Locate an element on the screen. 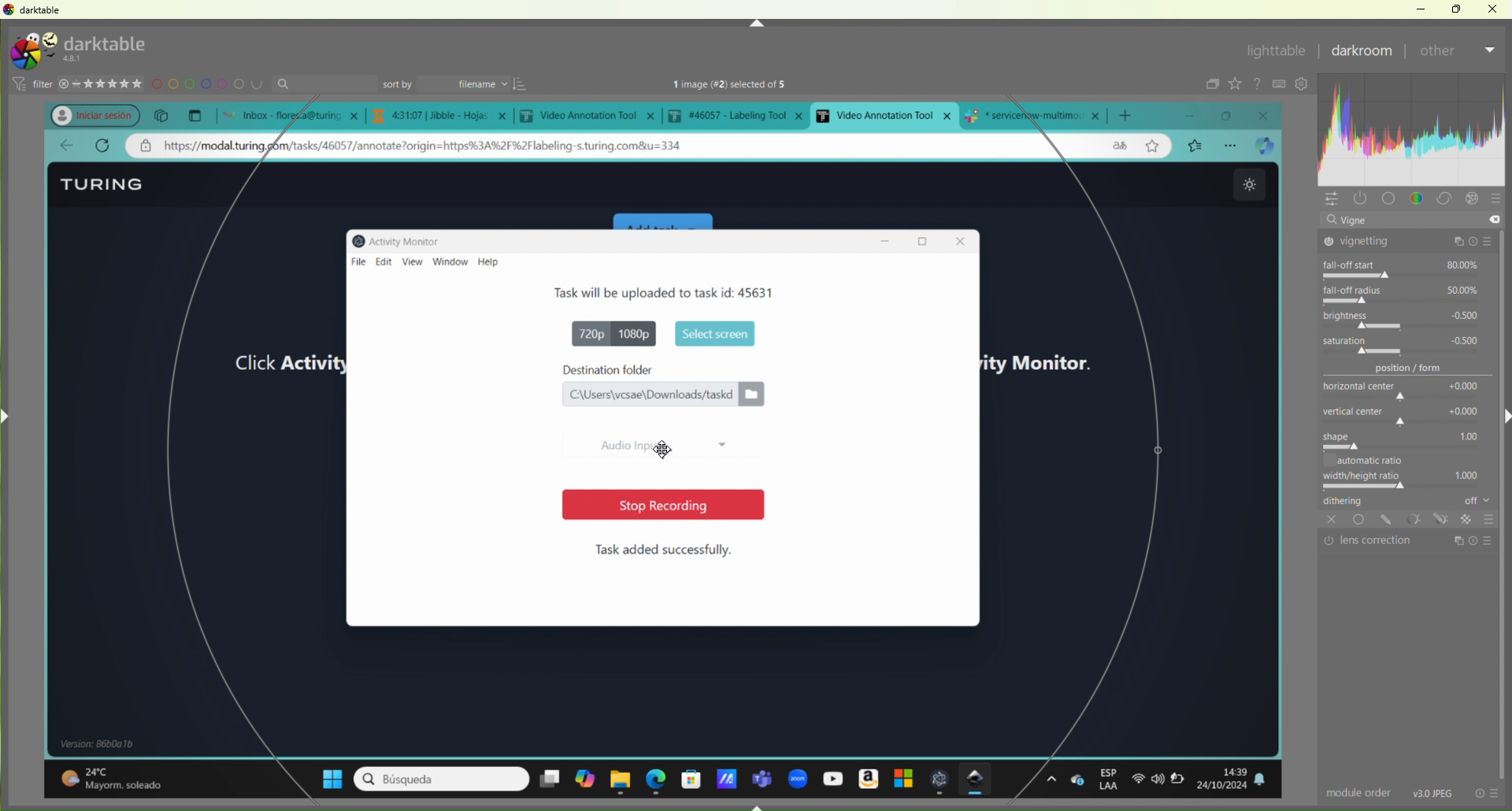 The width and height of the screenshot is (1512, 811). width/height ratio is located at coordinates (1400, 480).